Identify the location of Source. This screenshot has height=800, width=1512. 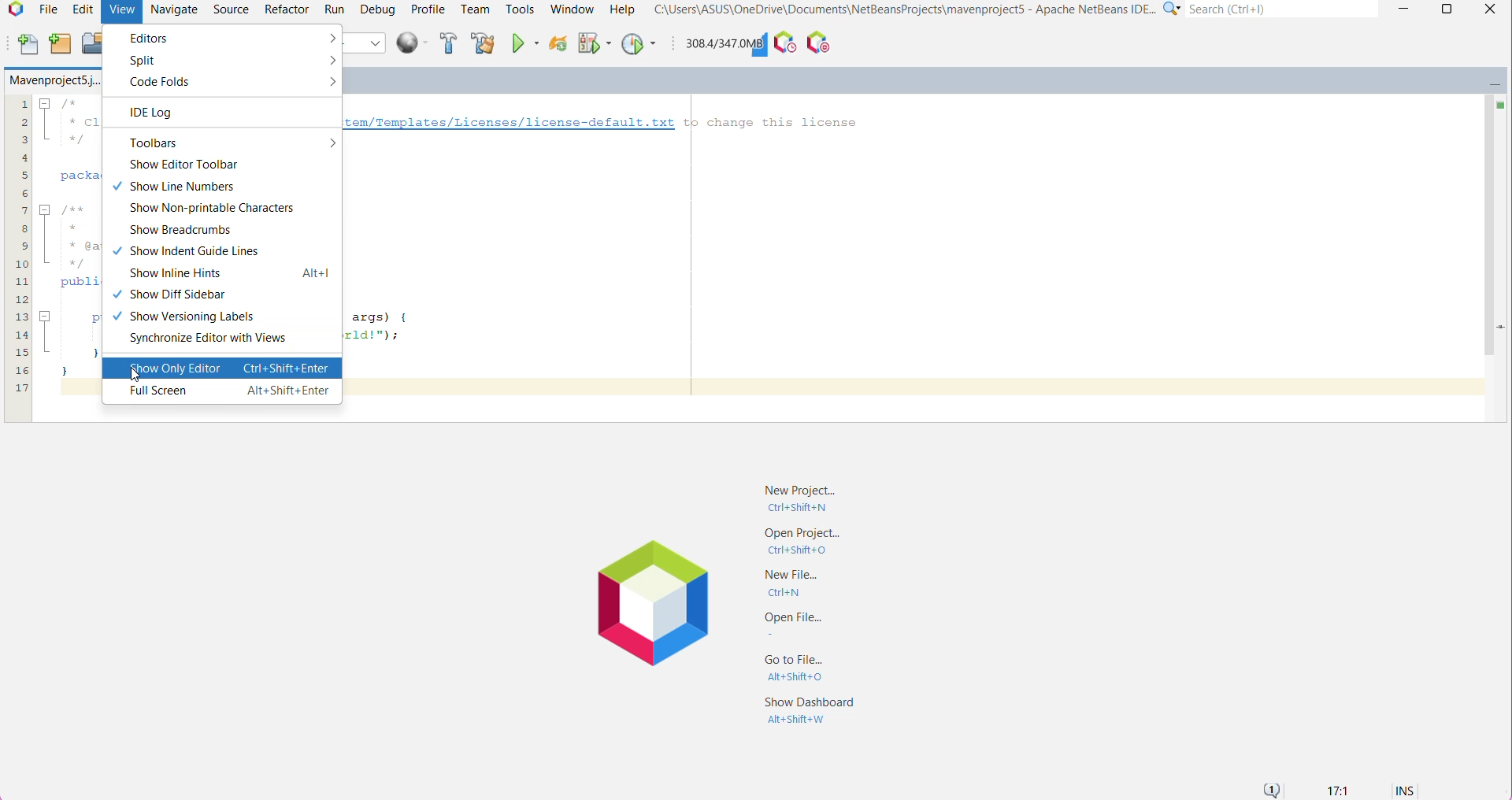
(232, 10).